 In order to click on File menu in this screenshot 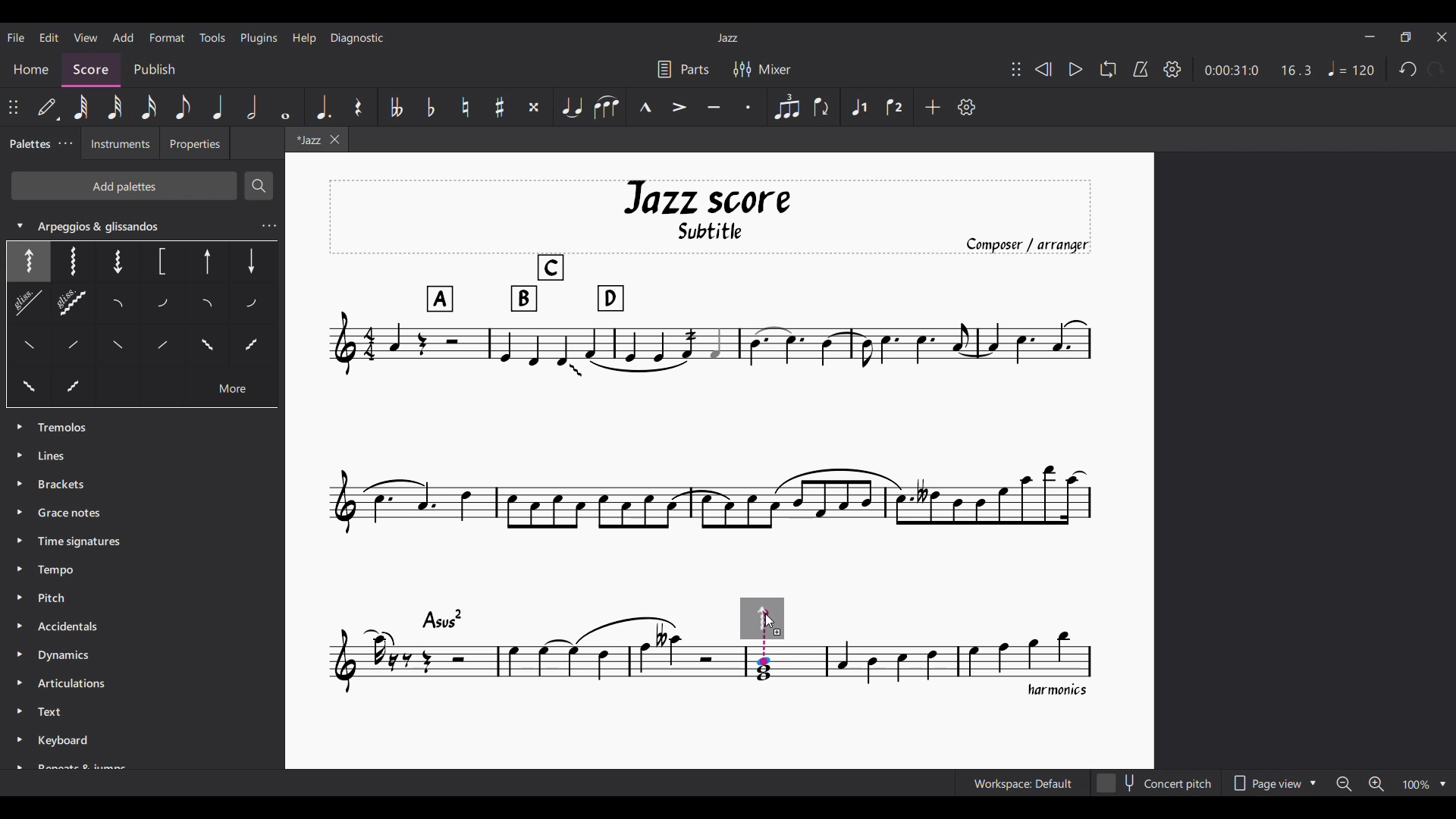, I will do `click(16, 37)`.